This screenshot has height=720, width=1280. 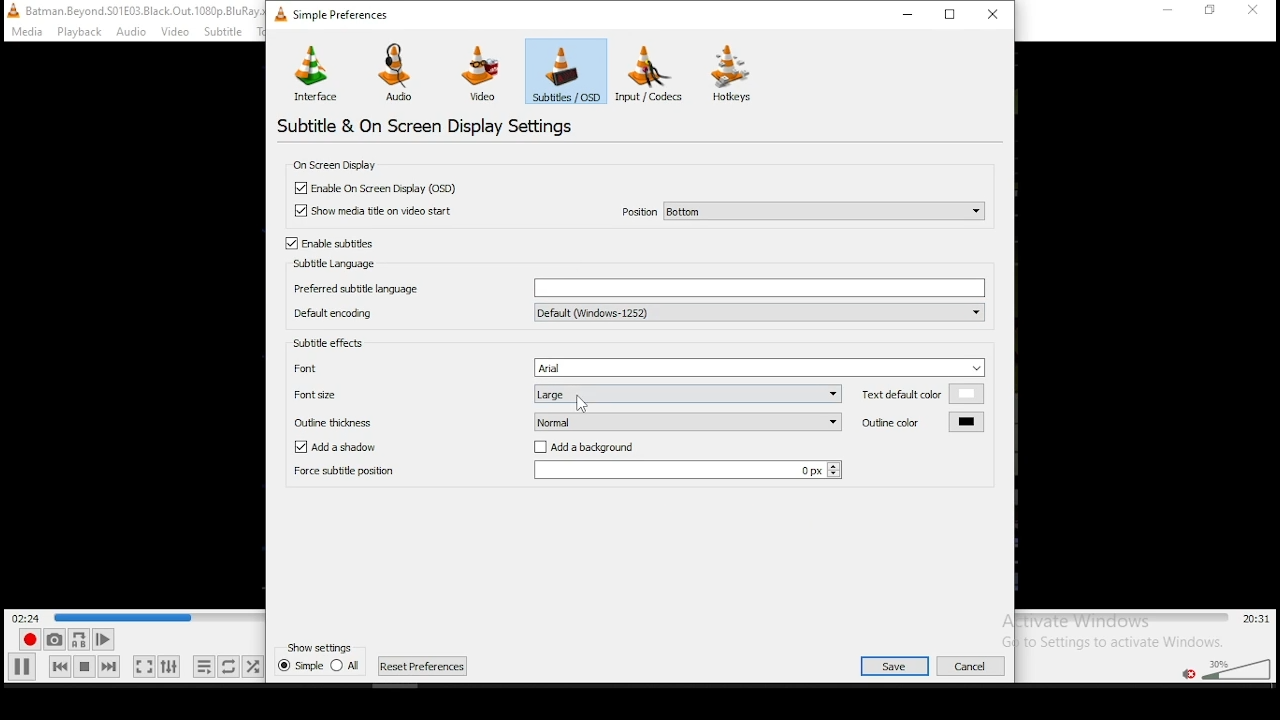 I want to click on default encoding Default (Windows-1252), so click(x=638, y=312).